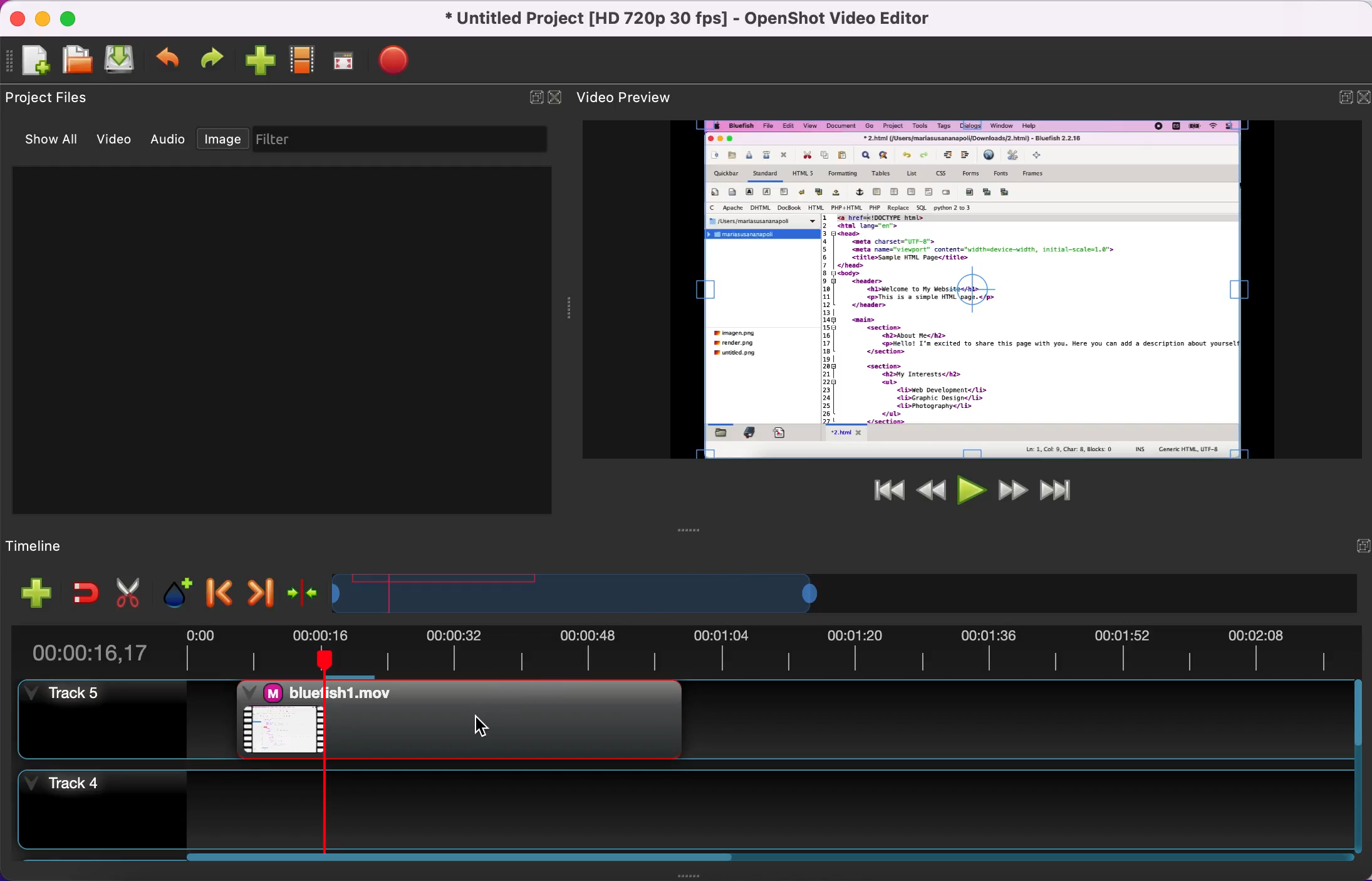 This screenshot has width=1372, height=881. Describe the element at coordinates (216, 58) in the screenshot. I see `redo` at that location.